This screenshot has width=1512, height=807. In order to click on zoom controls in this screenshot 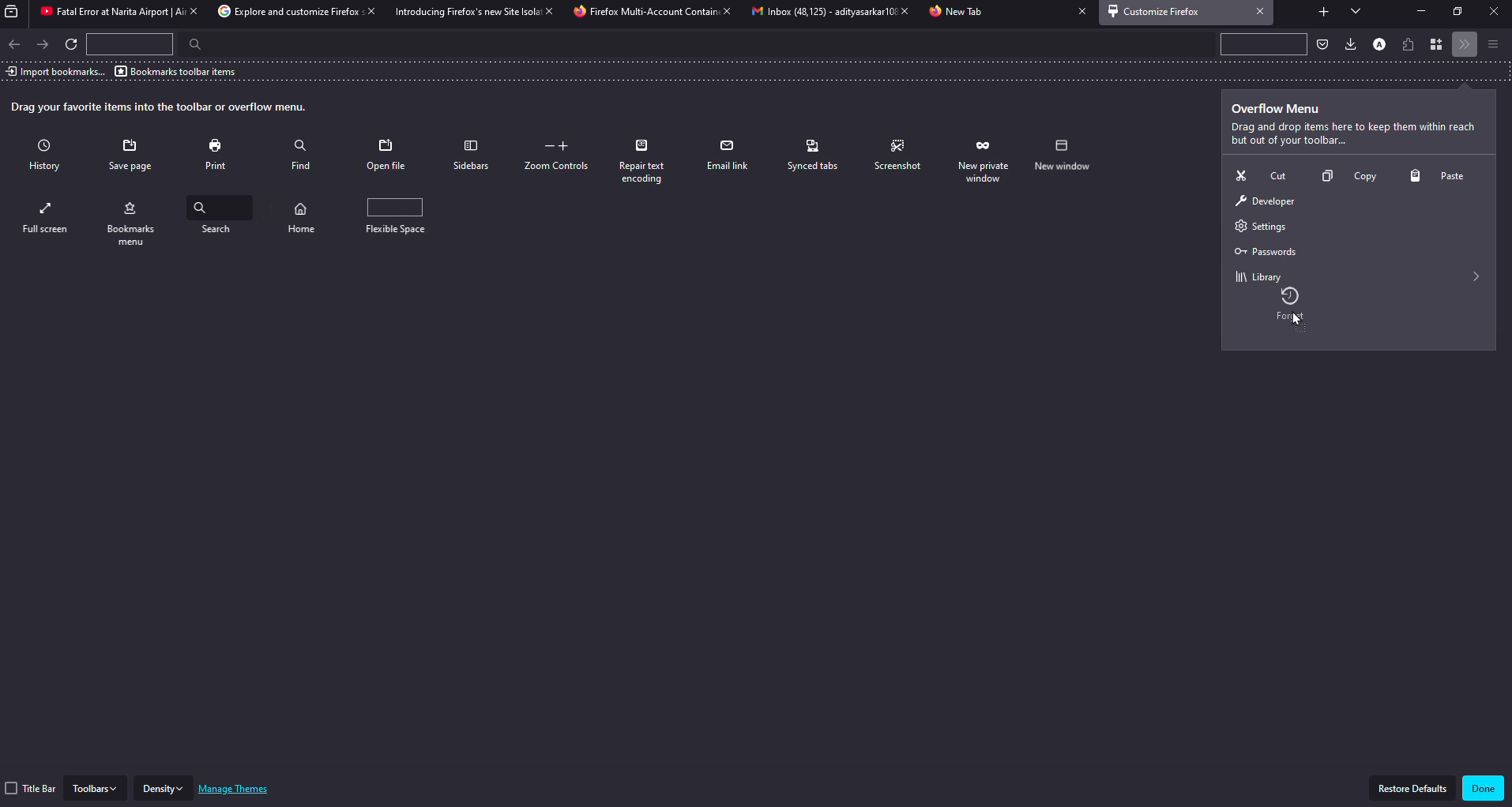, I will do `click(559, 156)`.